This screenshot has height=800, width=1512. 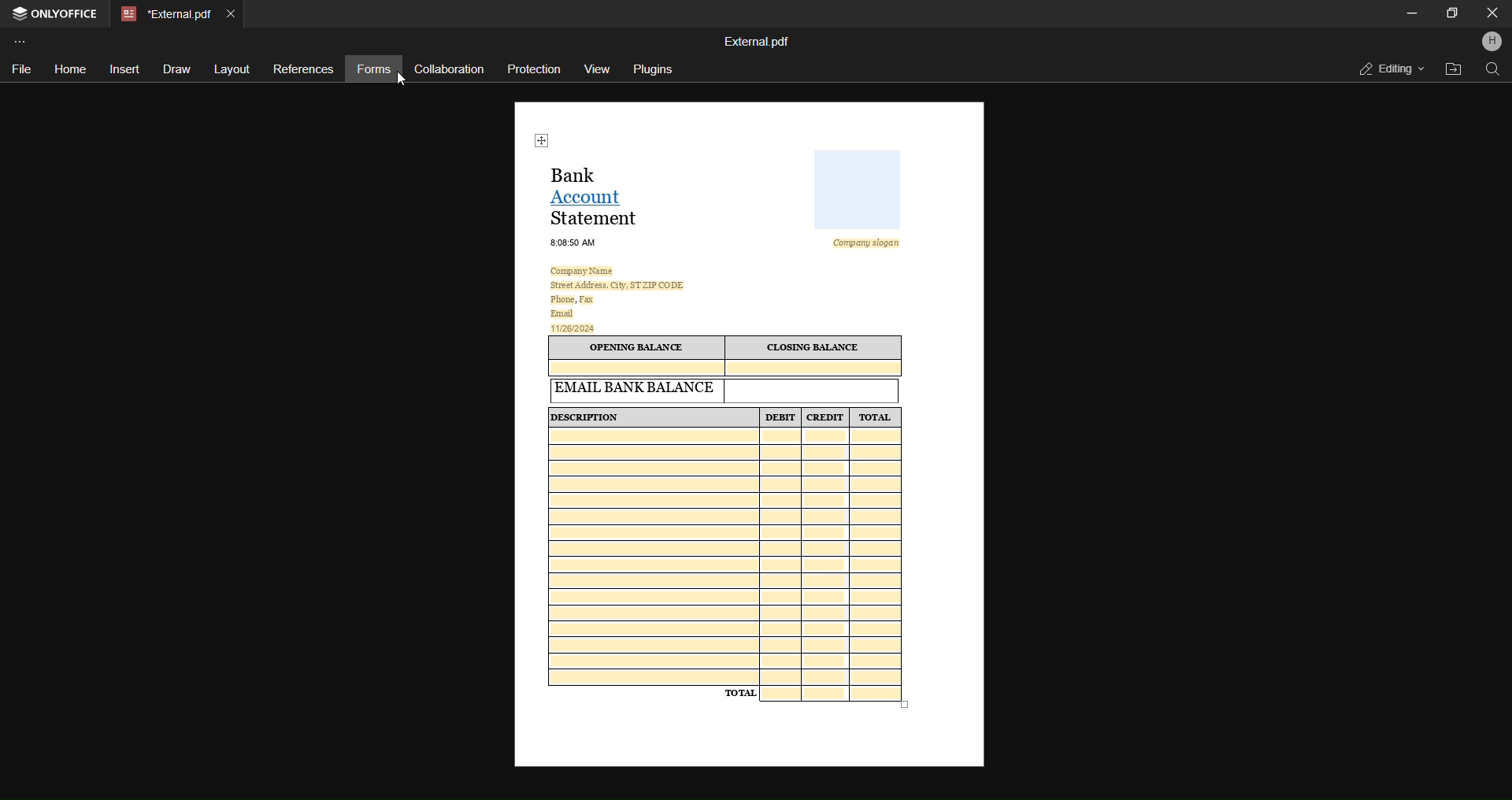 What do you see at coordinates (233, 68) in the screenshot?
I see `layout` at bounding box center [233, 68].